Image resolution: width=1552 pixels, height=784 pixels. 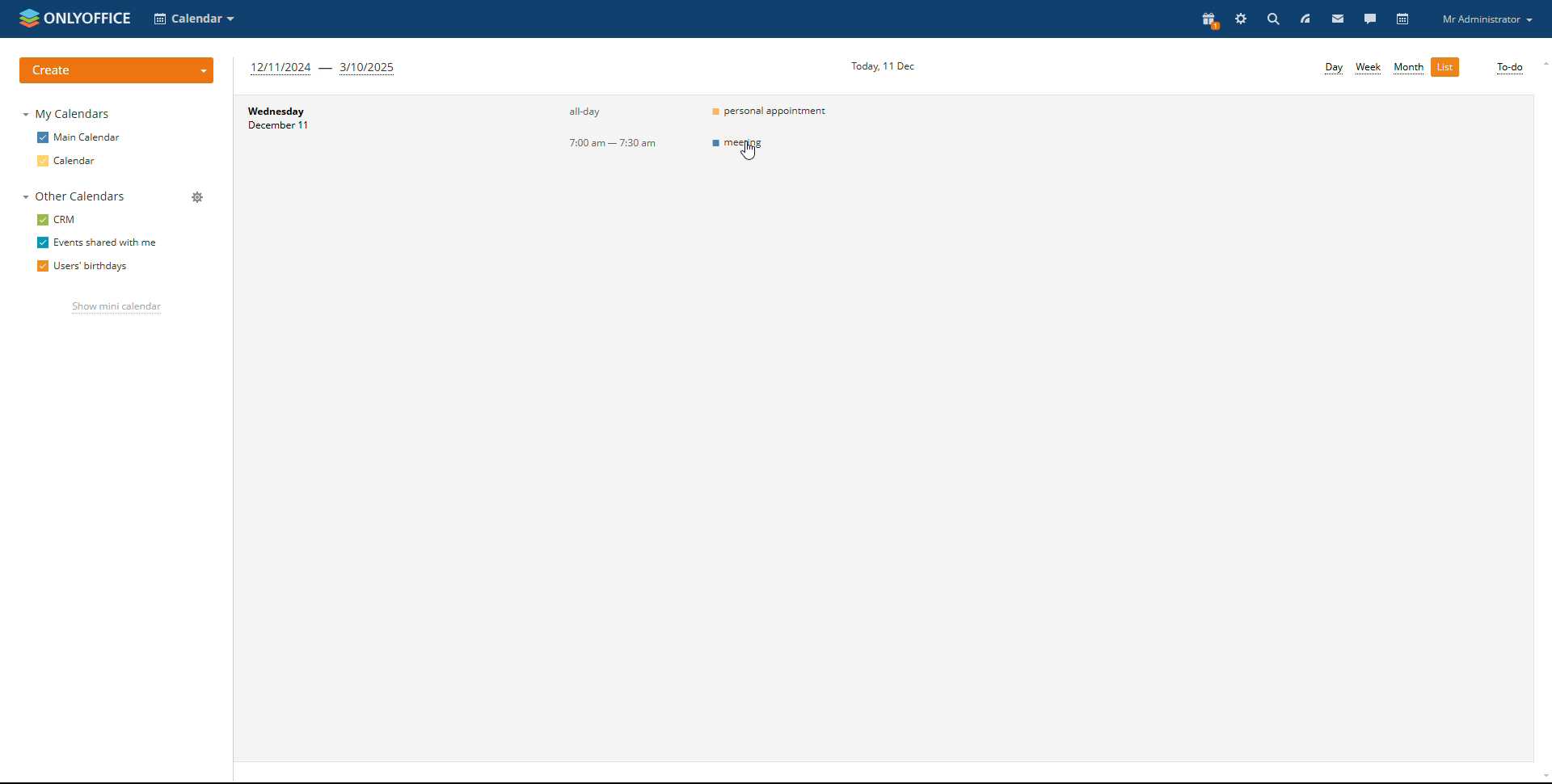 What do you see at coordinates (1445, 67) in the screenshot?
I see `list view` at bounding box center [1445, 67].